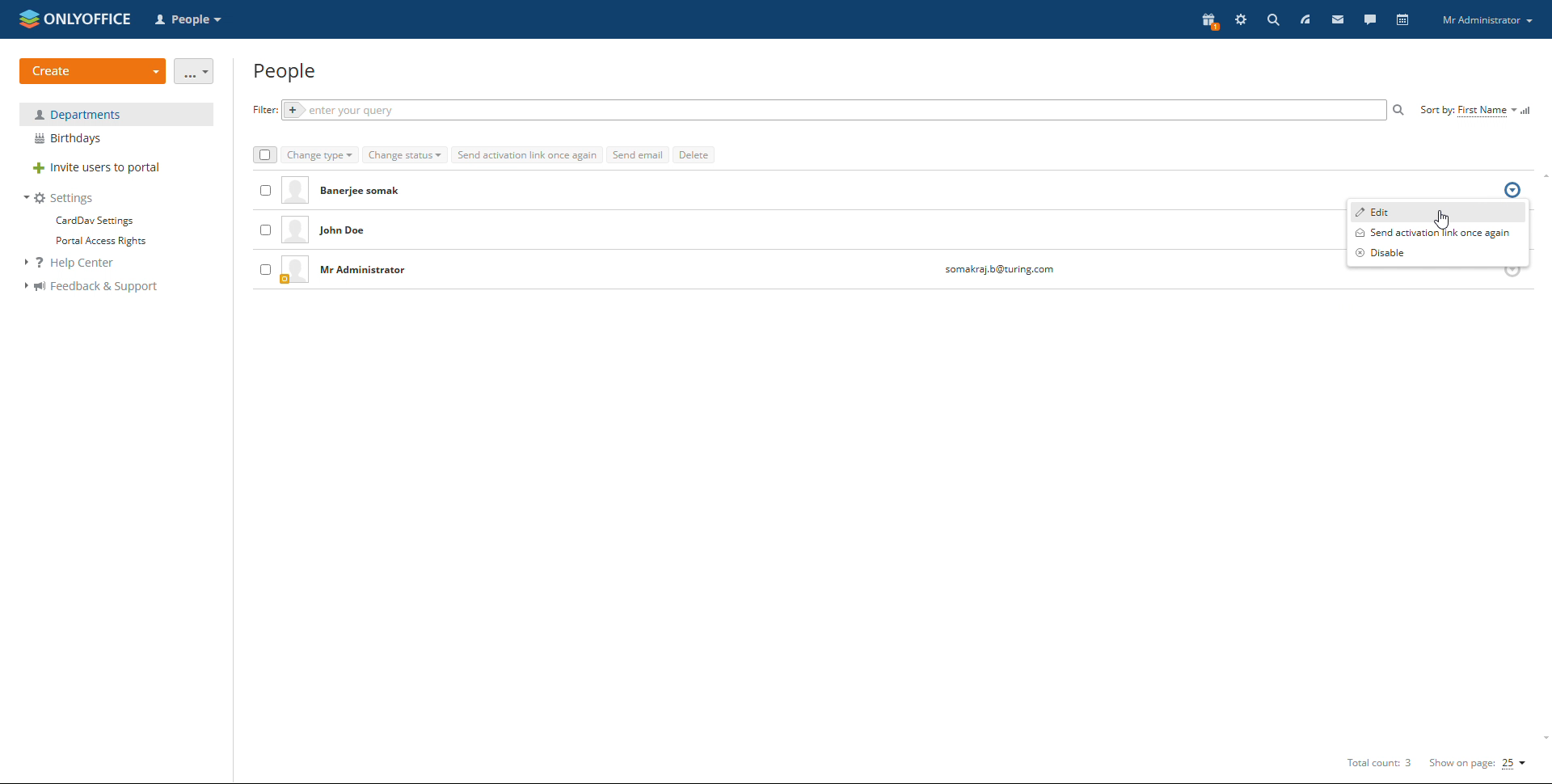 Image resolution: width=1552 pixels, height=784 pixels. Describe the element at coordinates (1336, 19) in the screenshot. I see `mail` at that location.